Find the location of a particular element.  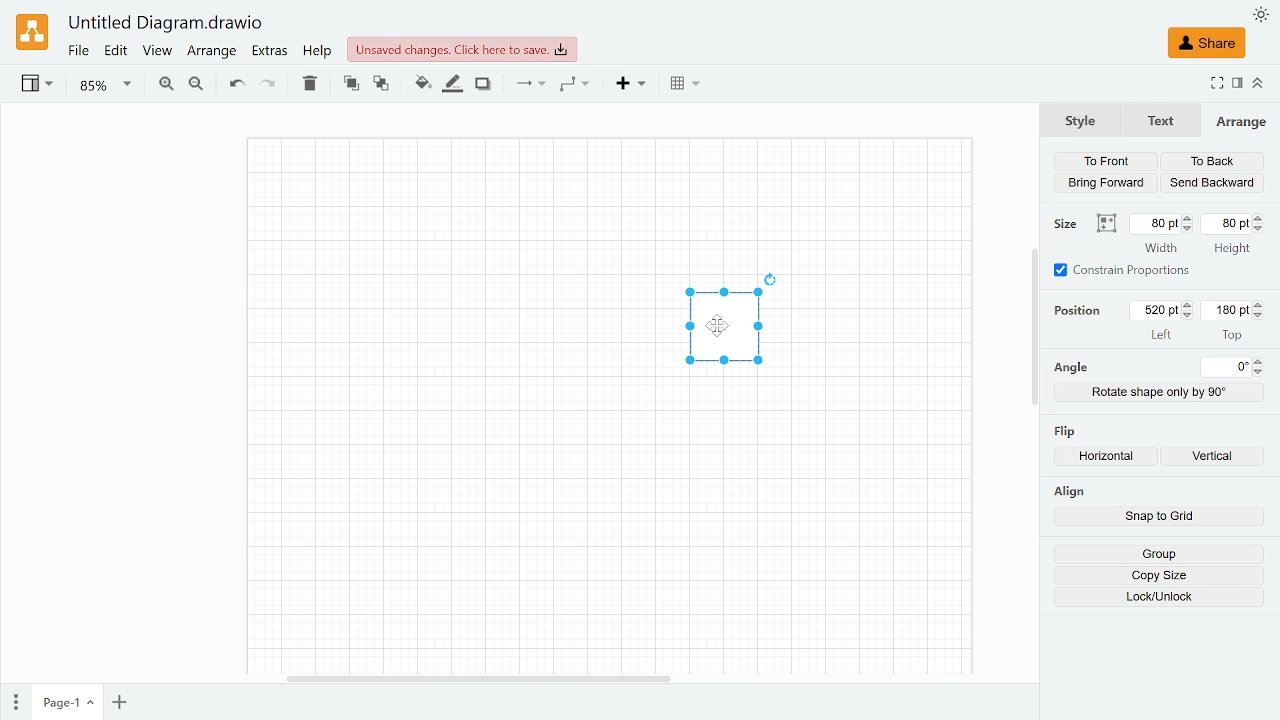

Lock/Unlock is located at coordinates (1160, 597).